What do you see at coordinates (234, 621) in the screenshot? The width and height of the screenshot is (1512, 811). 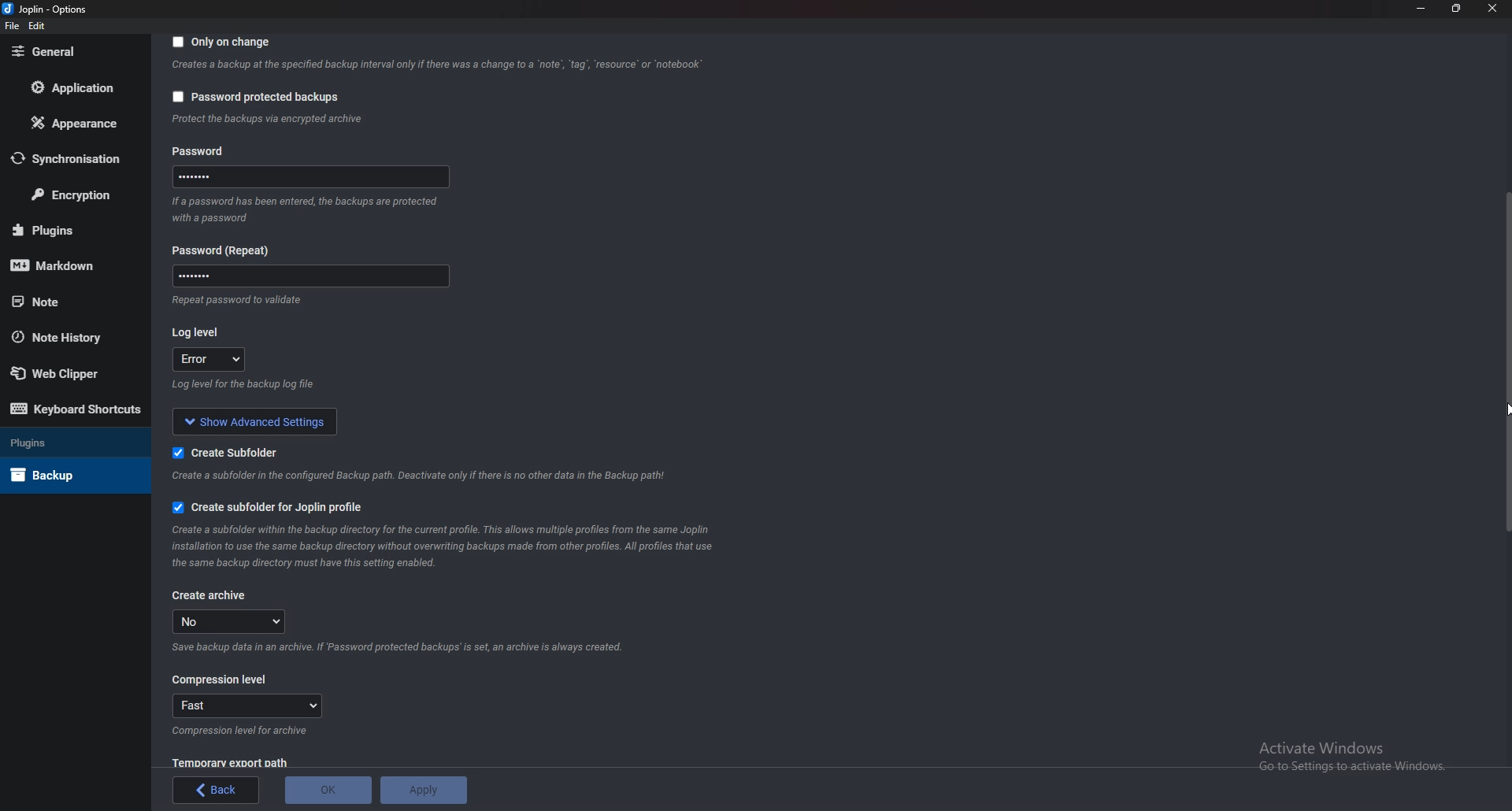 I see `no` at bounding box center [234, 621].